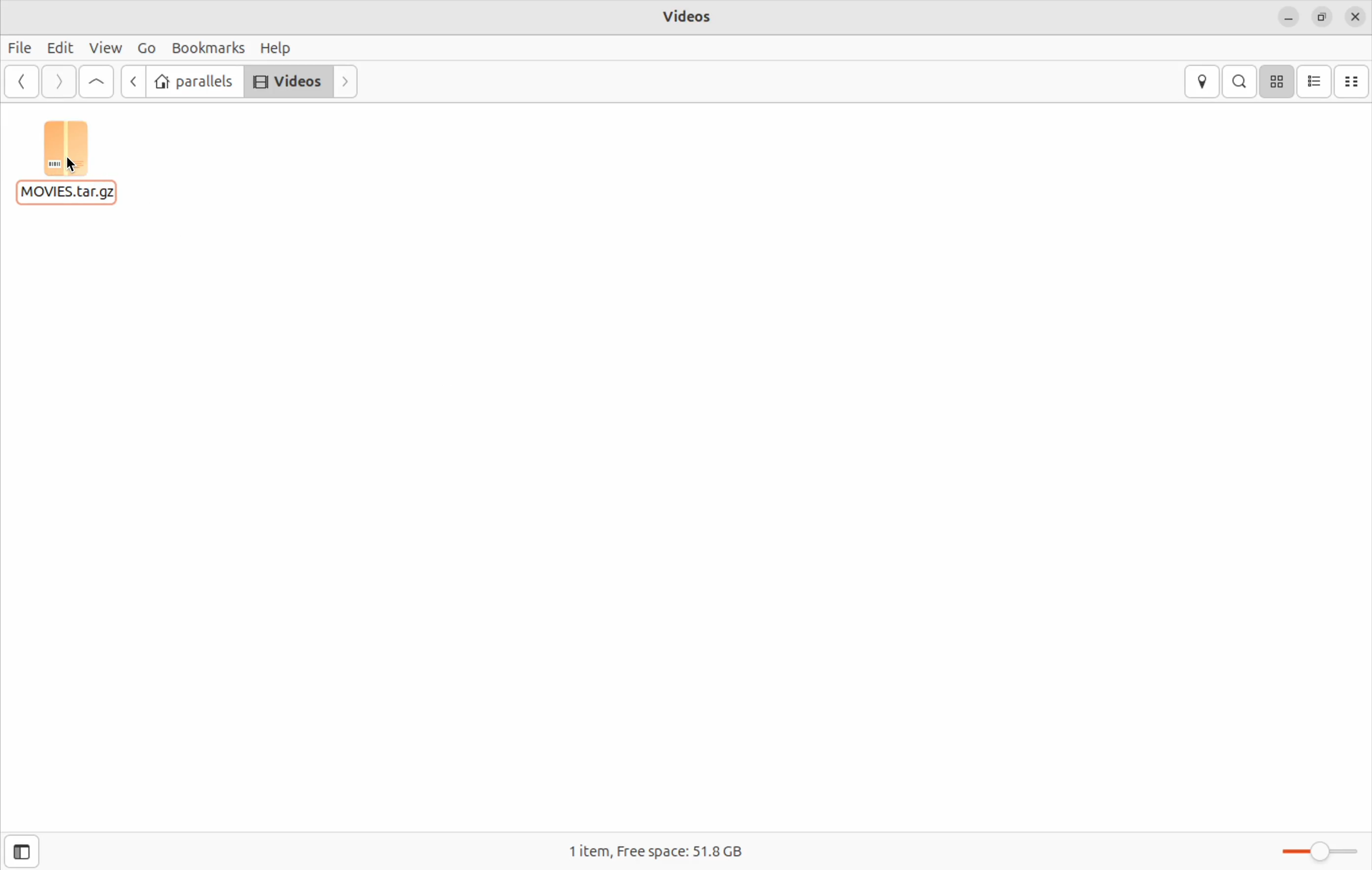 This screenshot has width=1372, height=870. Describe the element at coordinates (205, 48) in the screenshot. I see `bookmarks` at that location.